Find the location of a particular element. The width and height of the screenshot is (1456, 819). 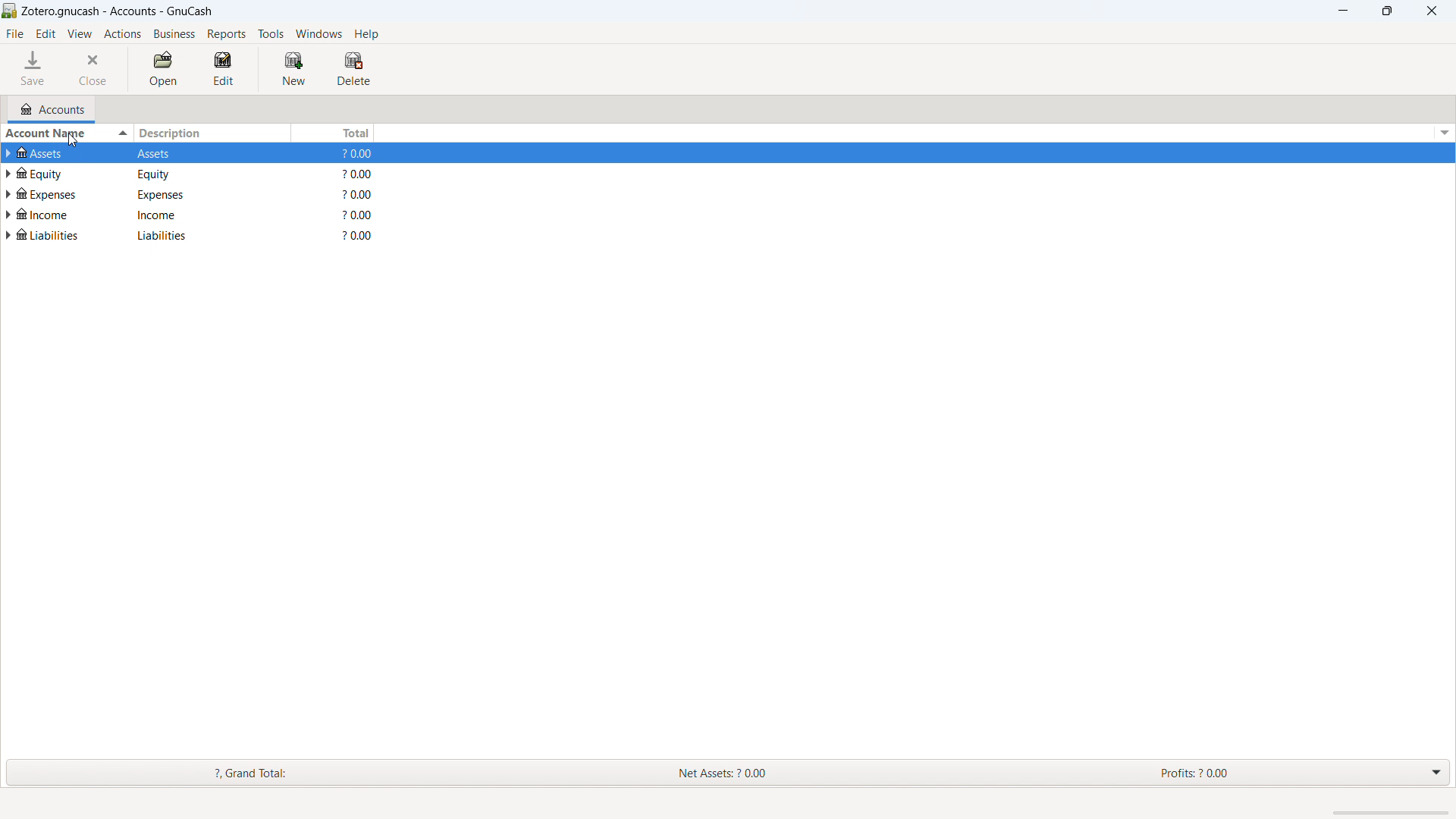

sort by description is located at coordinates (211, 133).